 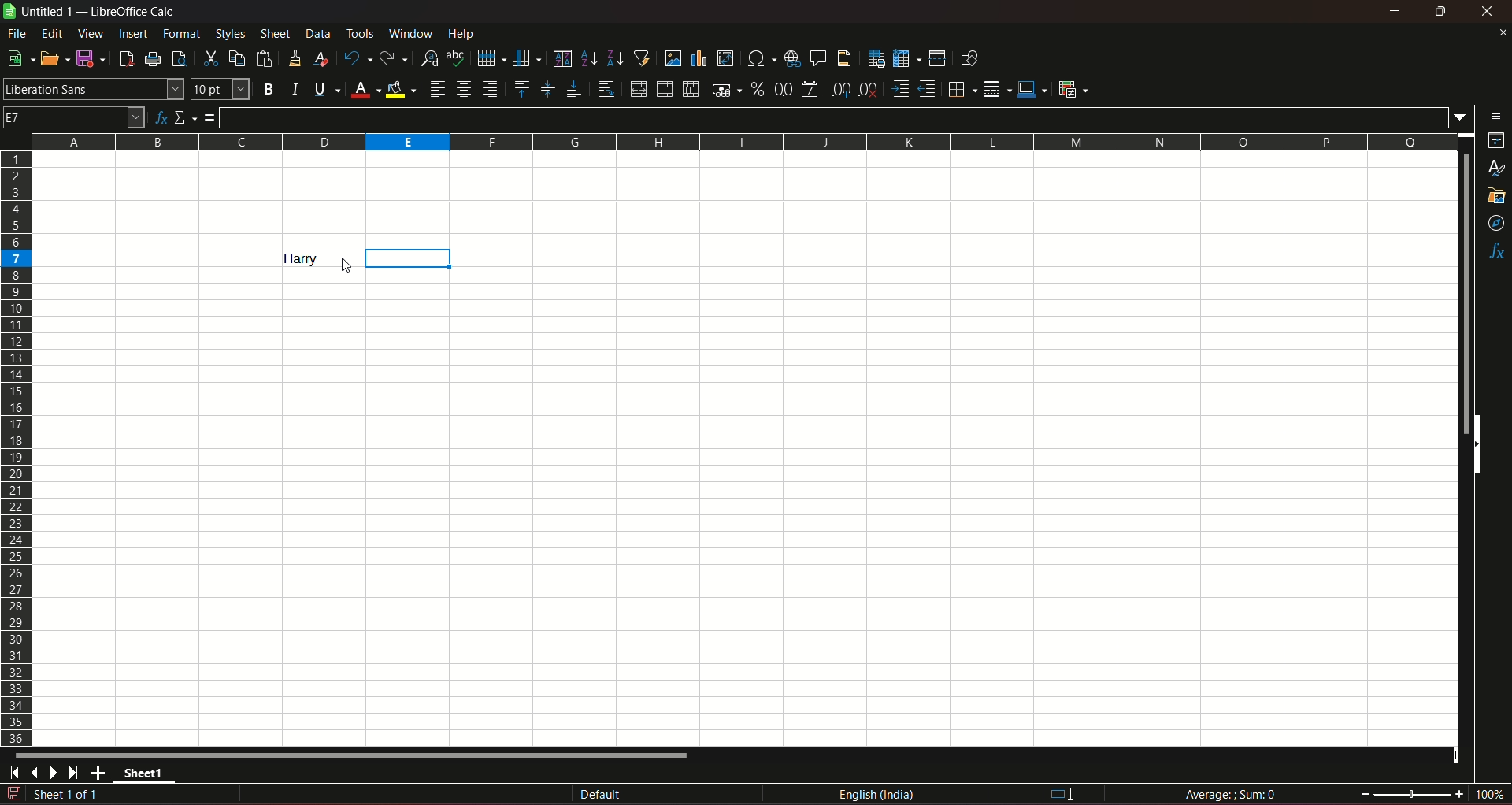 What do you see at coordinates (229, 33) in the screenshot?
I see `styles` at bounding box center [229, 33].